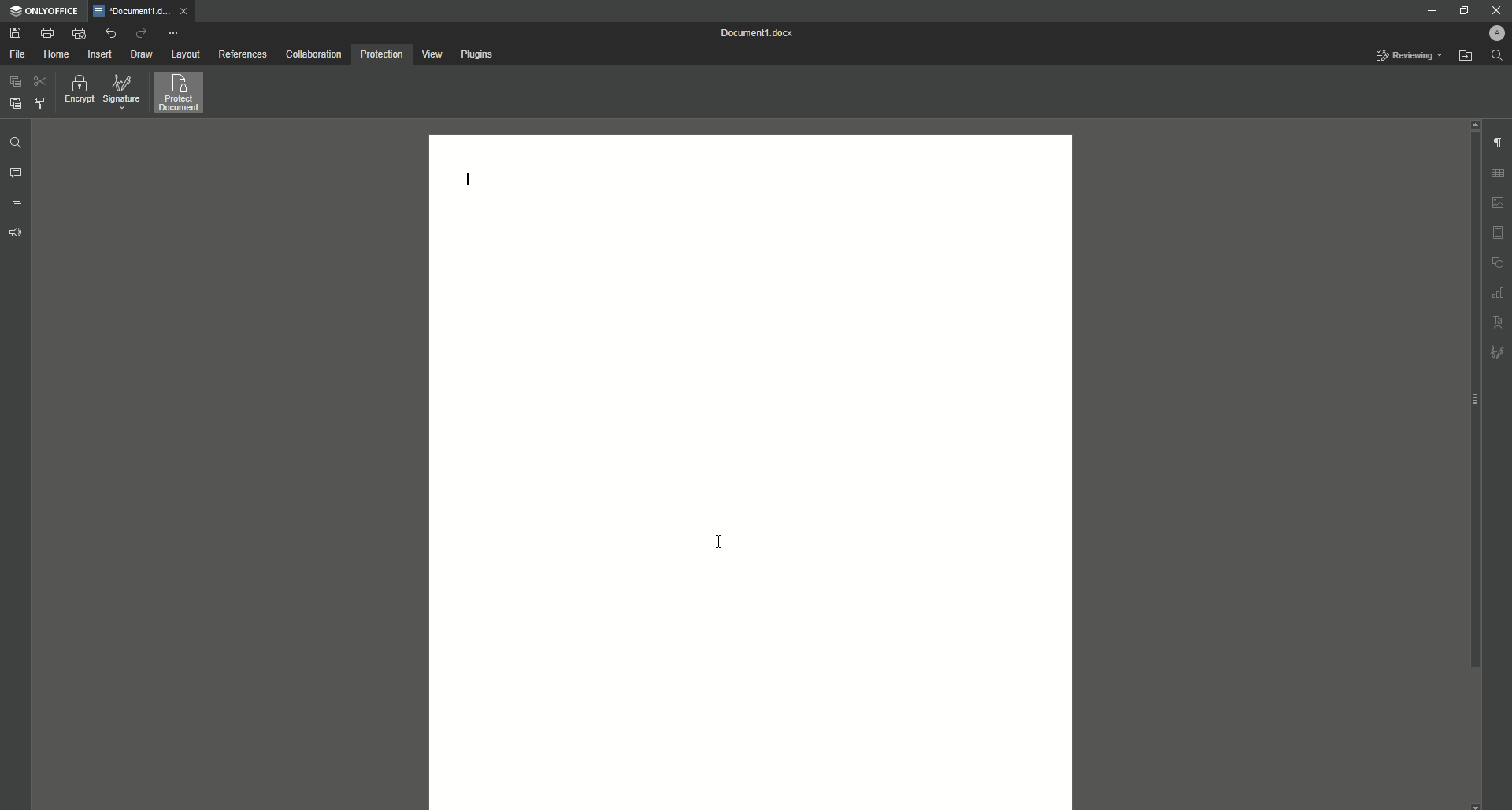  I want to click on Quick print, so click(77, 32).